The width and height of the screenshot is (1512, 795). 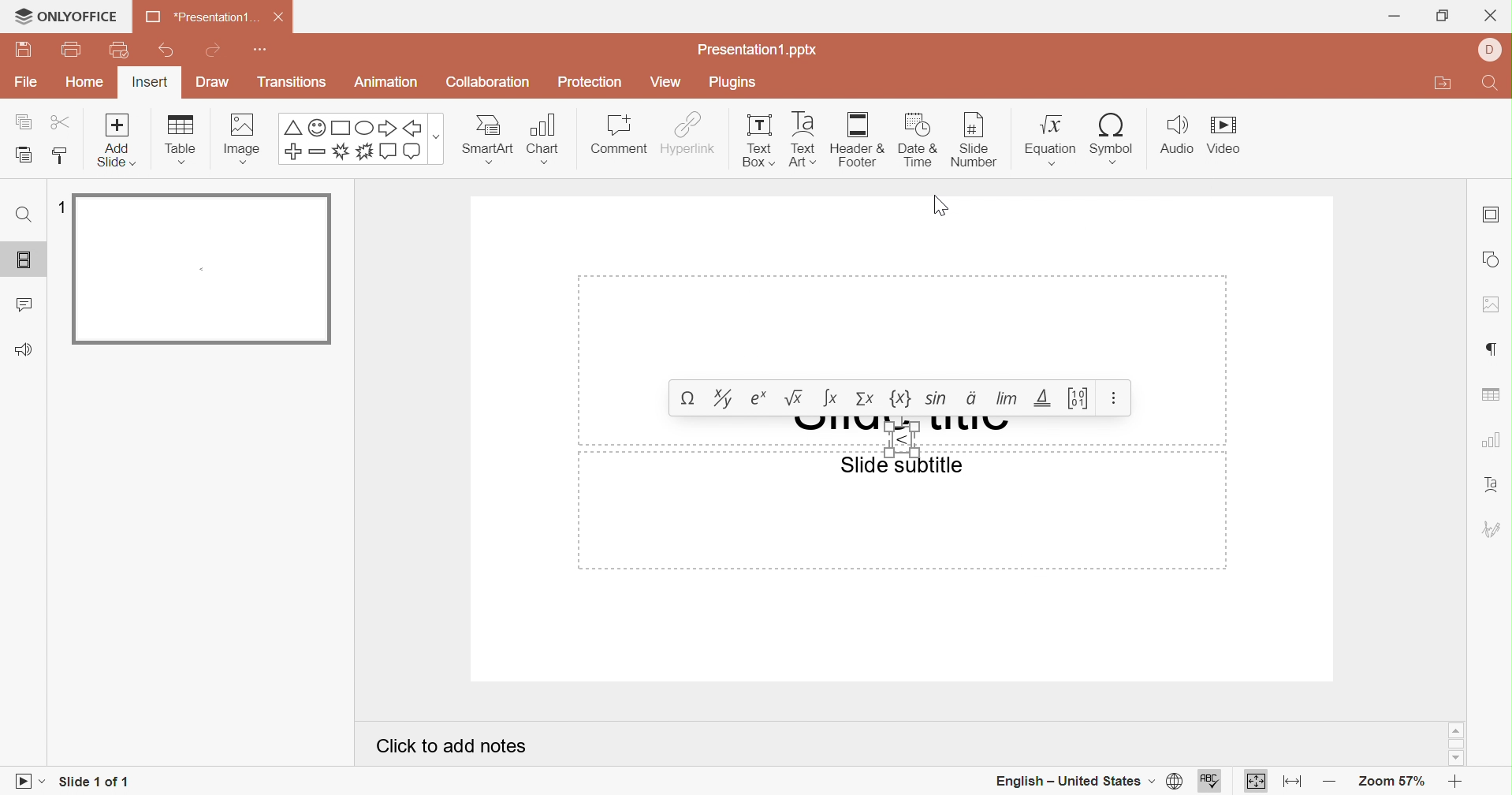 I want to click on Home, so click(x=83, y=84).